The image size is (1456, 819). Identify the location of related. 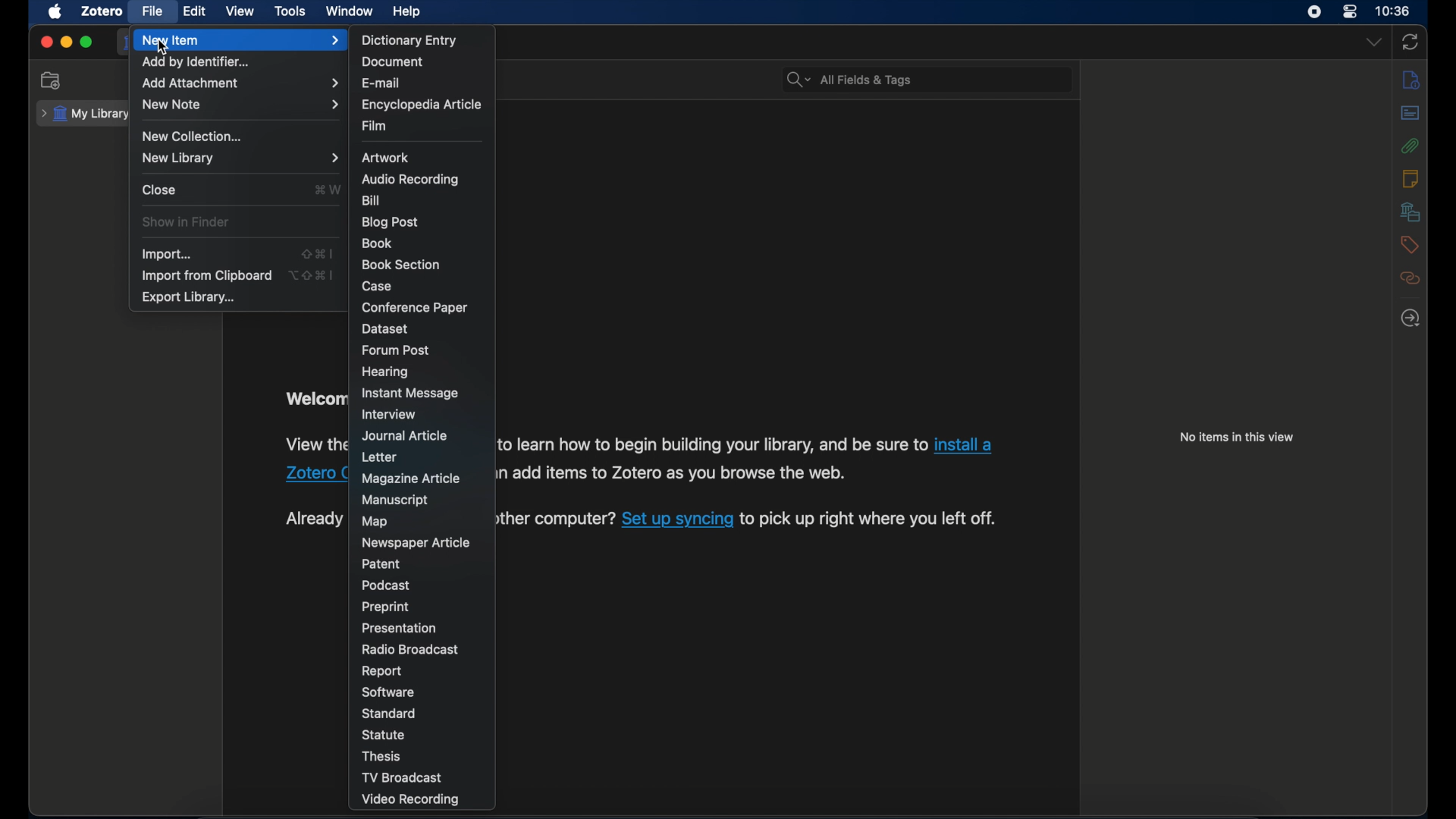
(1410, 279).